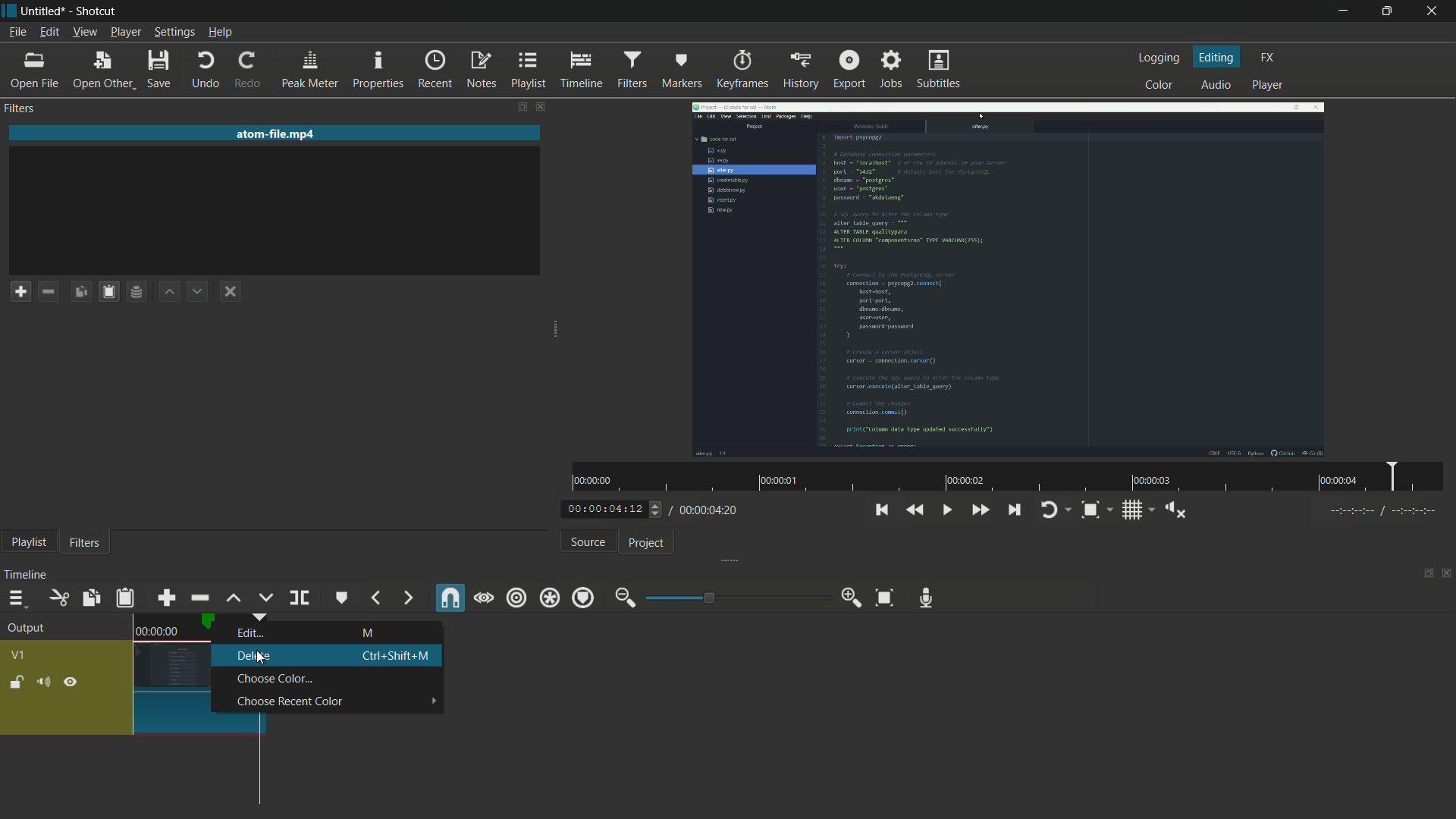 The width and height of the screenshot is (1456, 819). I want to click on toggle play or pause, so click(946, 512).